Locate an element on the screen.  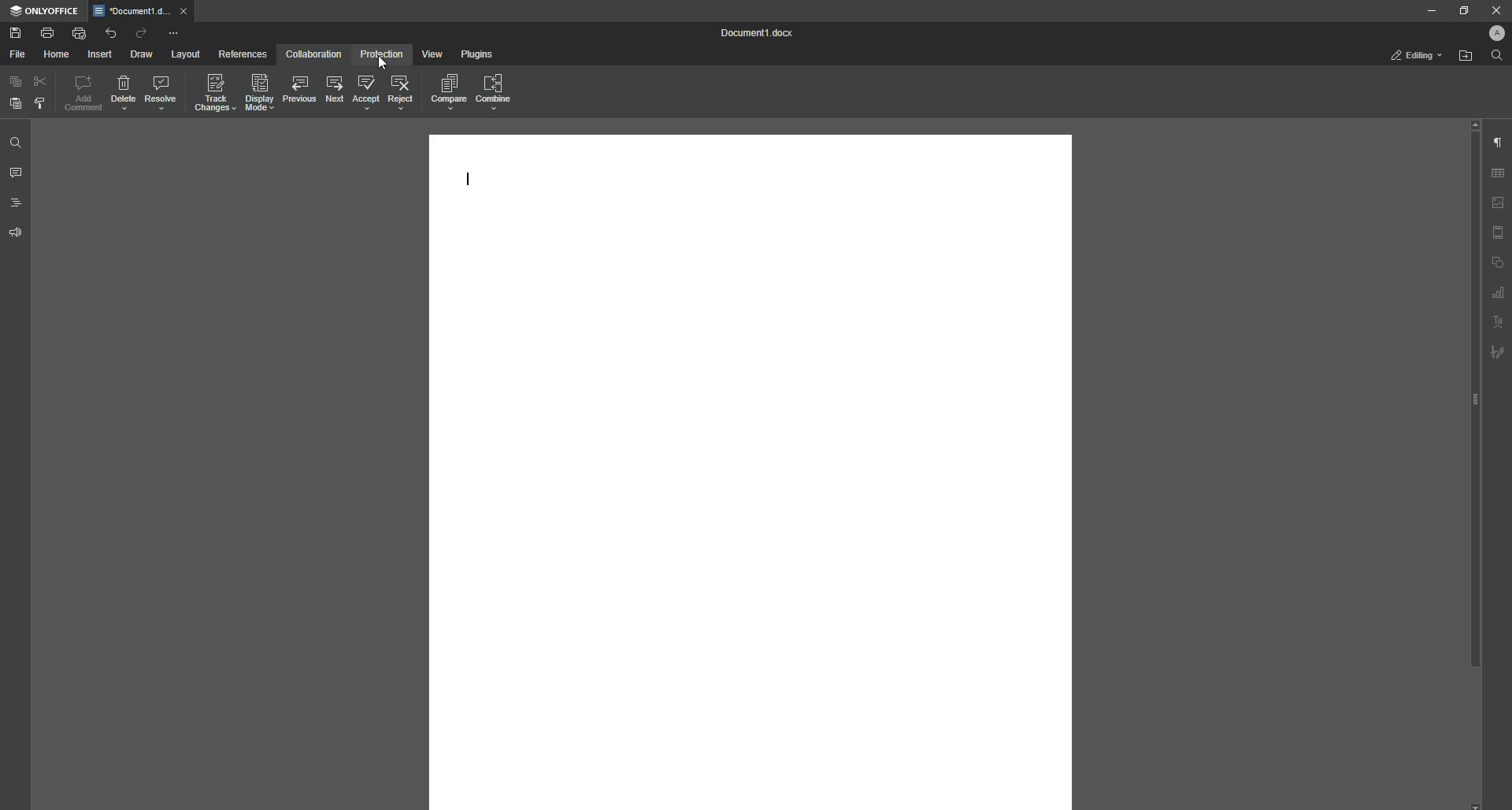
Insert is located at coordinates (98, 54).